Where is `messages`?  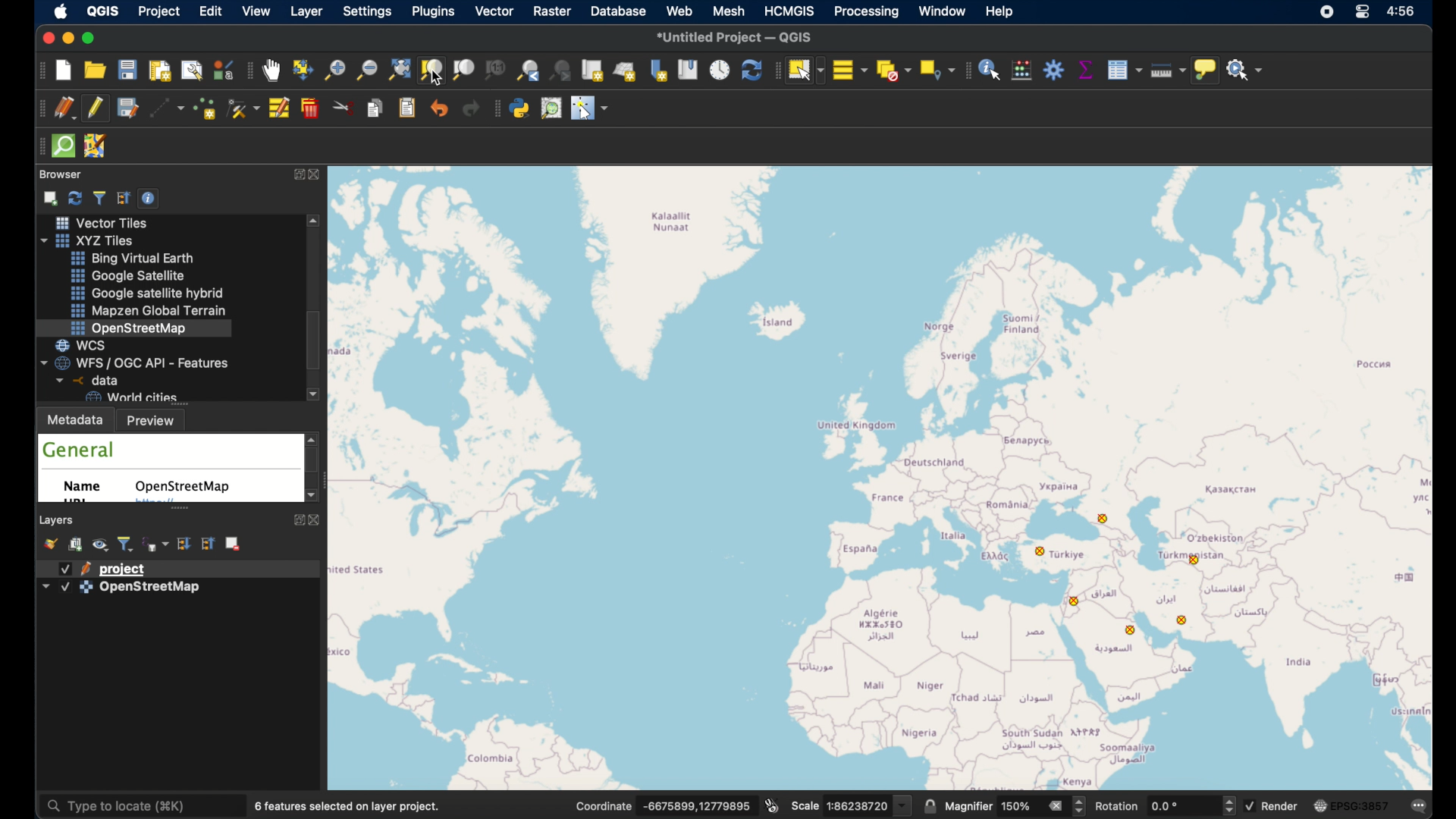 messages is located at coordinates (1419, 804).